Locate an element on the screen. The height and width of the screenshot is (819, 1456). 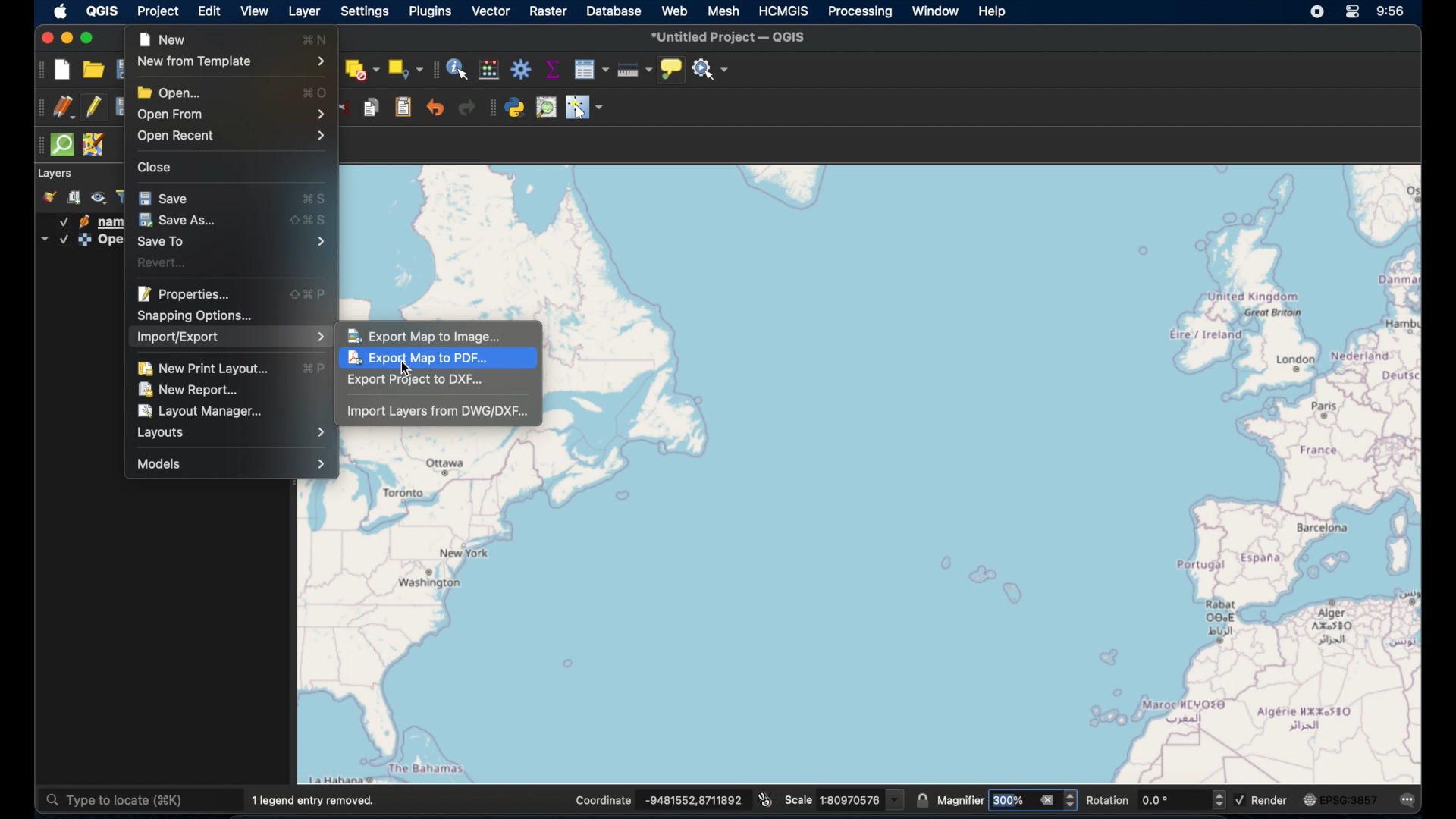
add group is located at coordinates (77, 197).